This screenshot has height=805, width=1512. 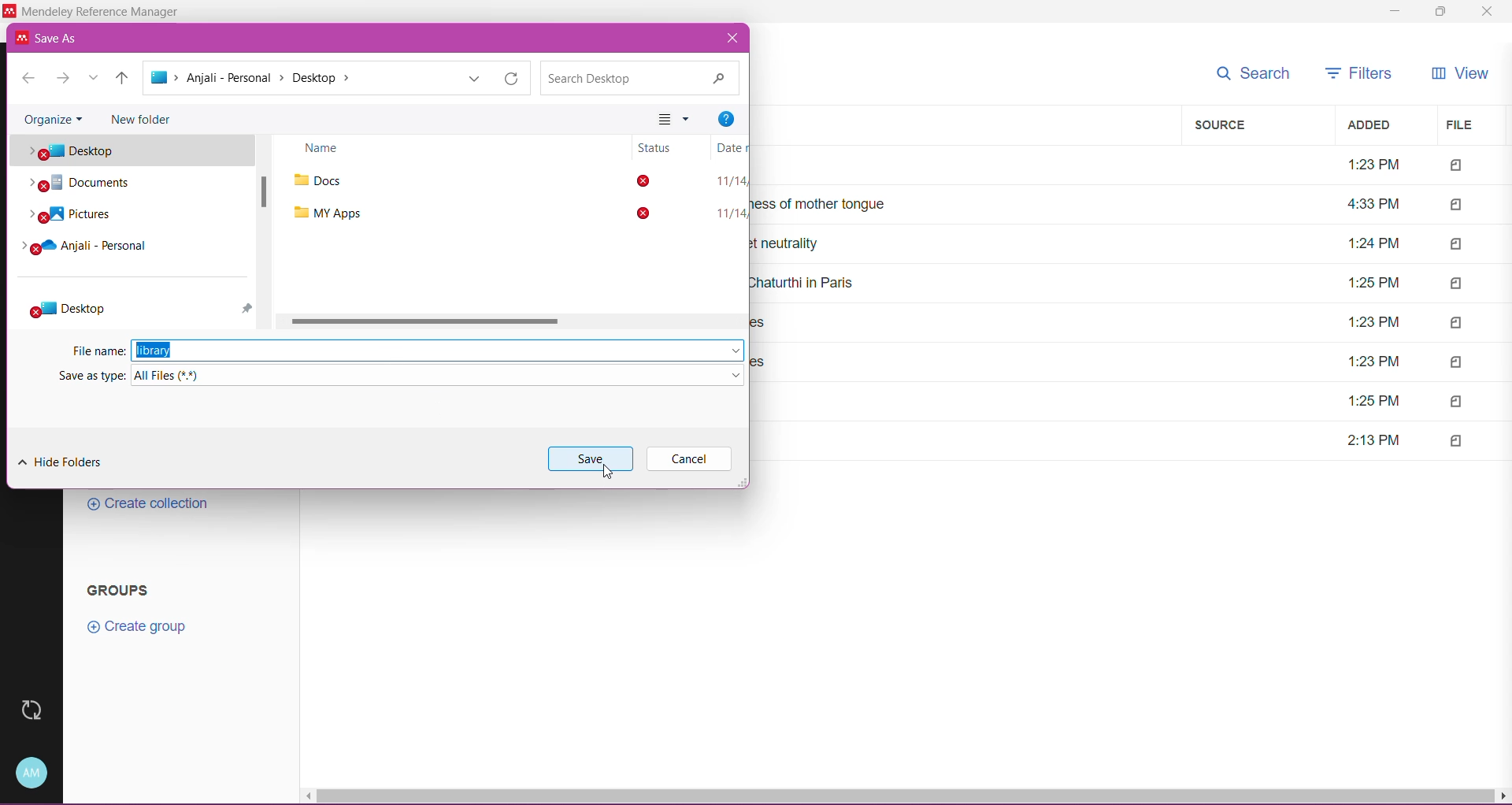 What do you see at coordinates (63, 78) in the screenshot?
I see `Go to next page` at bounding box center [63, 78].